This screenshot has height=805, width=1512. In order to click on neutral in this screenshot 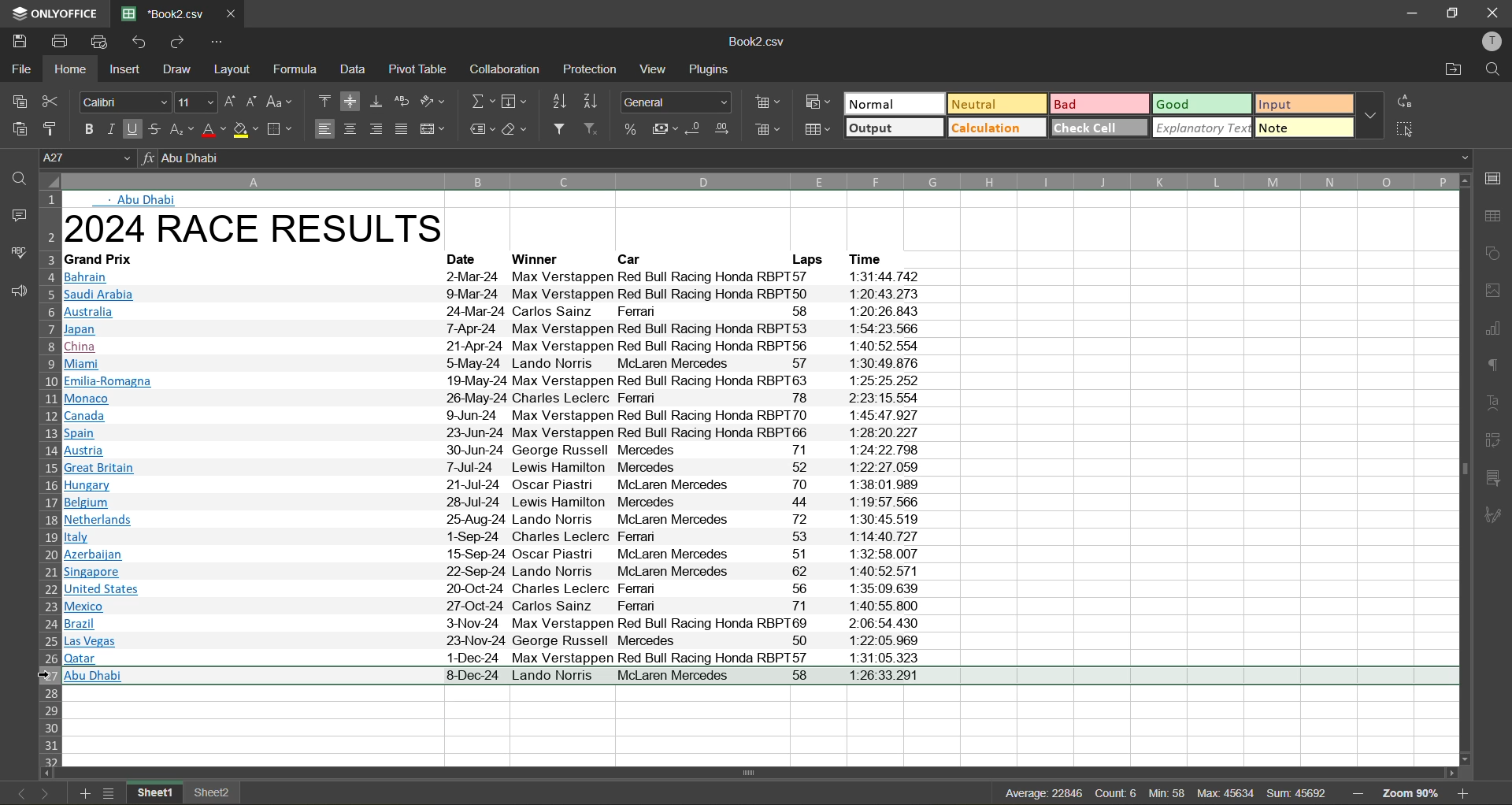, I will do `click(994, 103)`.